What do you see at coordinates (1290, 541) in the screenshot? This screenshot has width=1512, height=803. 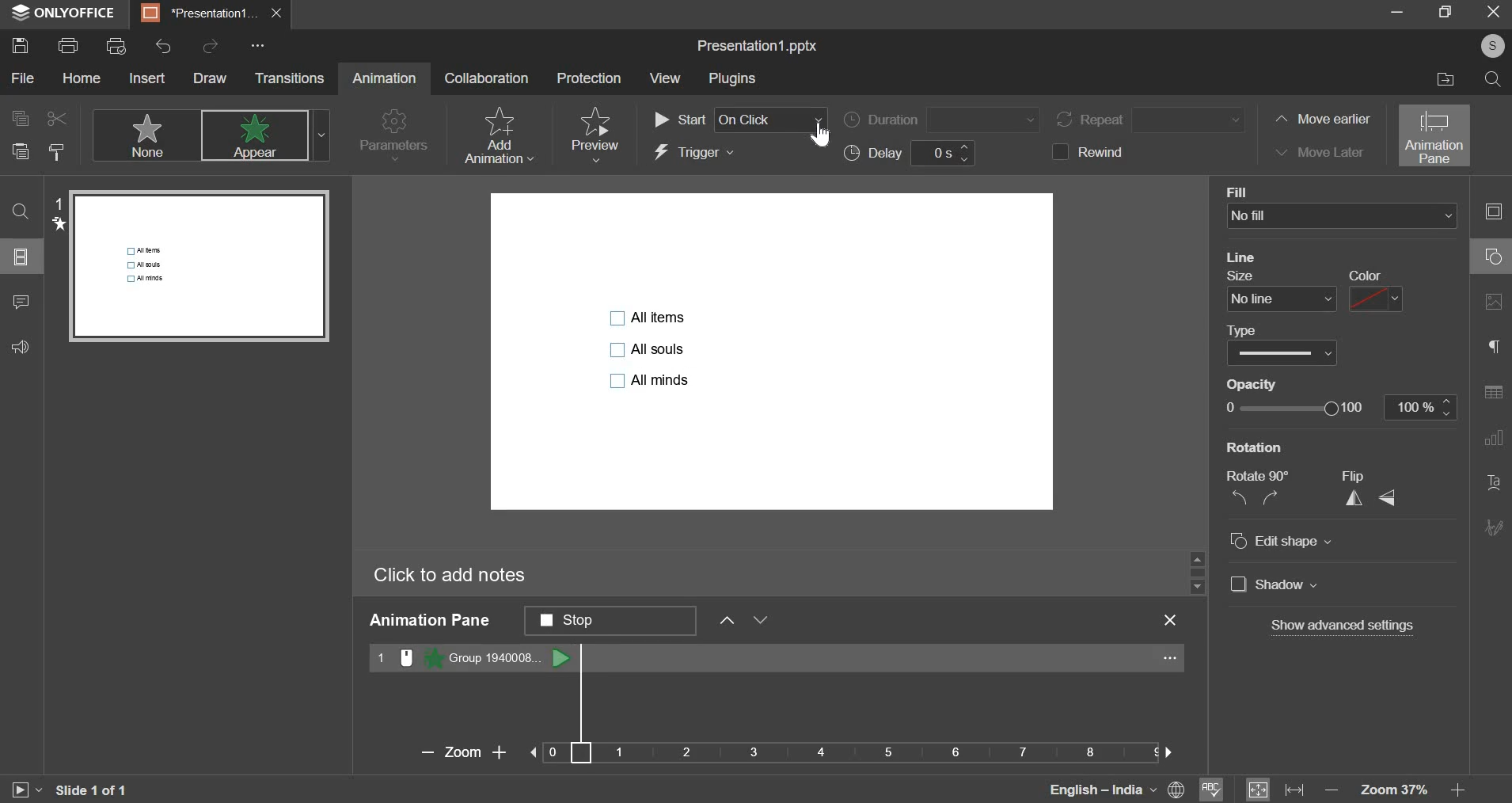 I see `Edit shape` at bounding box center [1290, 541].